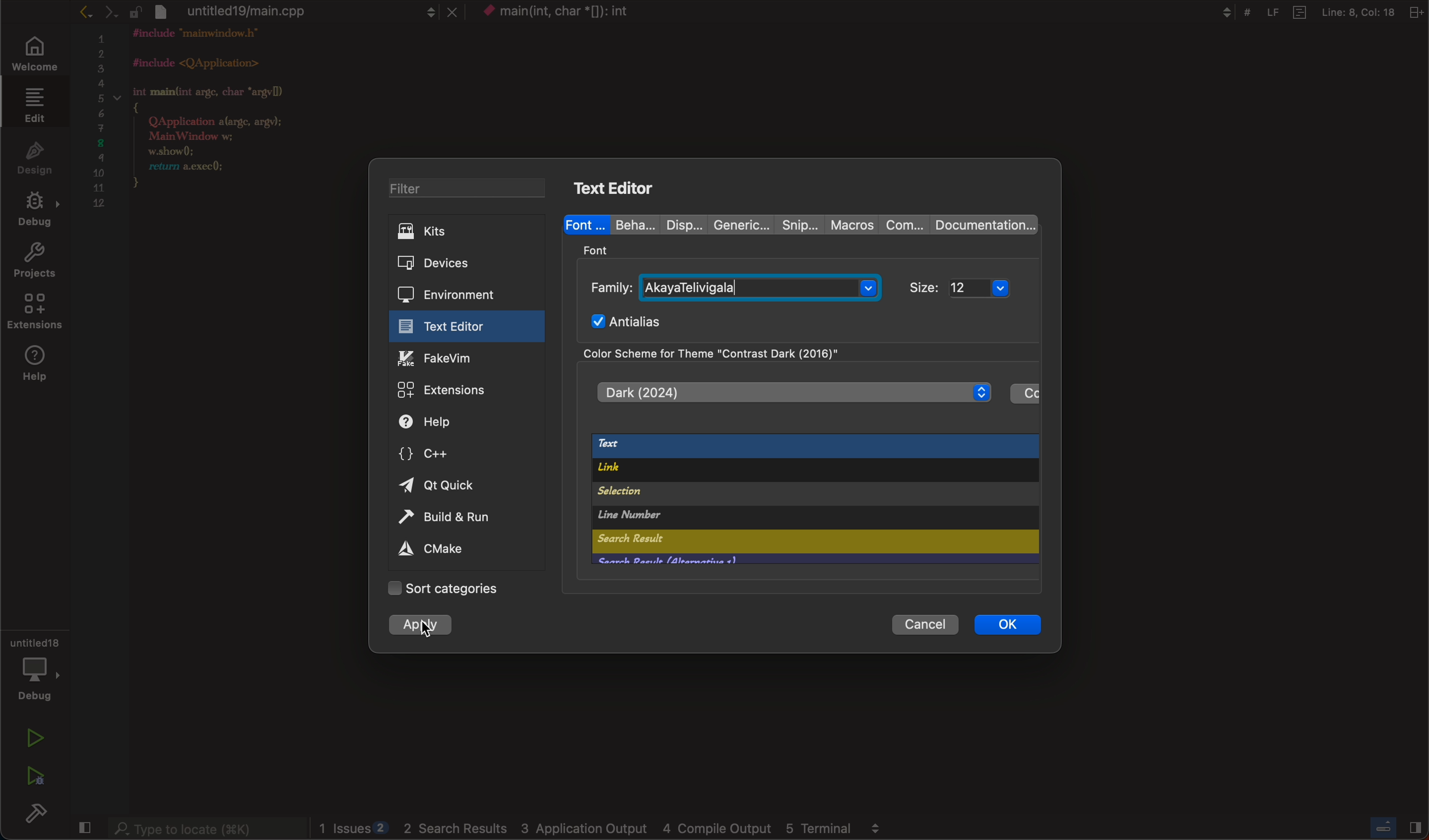 The width and height of the screenshot is (1429, 840). Describe the element at coordinates (733, 542) in the screenshot. I see `search` at that location.